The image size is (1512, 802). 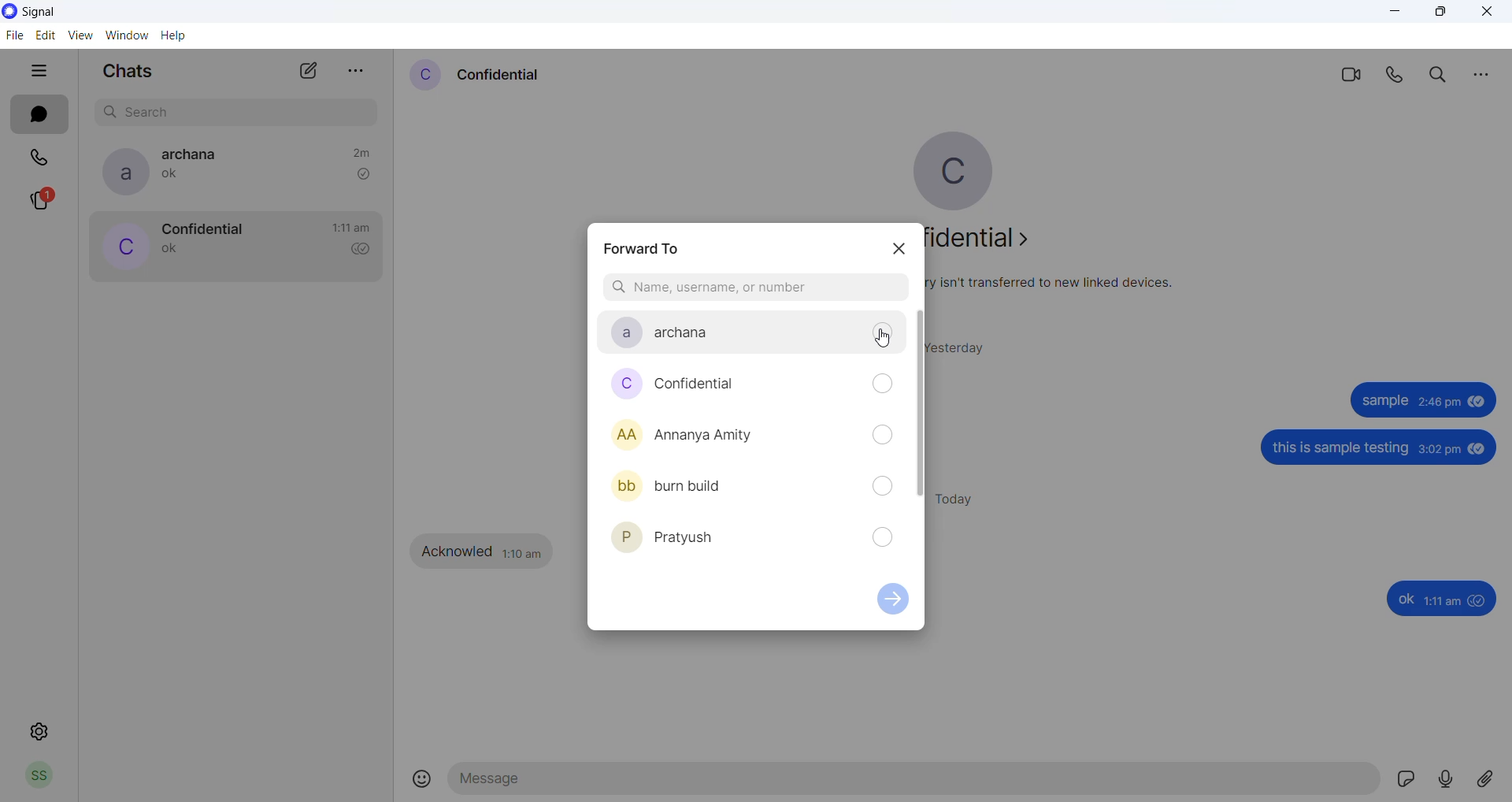 I want to click on contact name, so click(x=500, y=73).